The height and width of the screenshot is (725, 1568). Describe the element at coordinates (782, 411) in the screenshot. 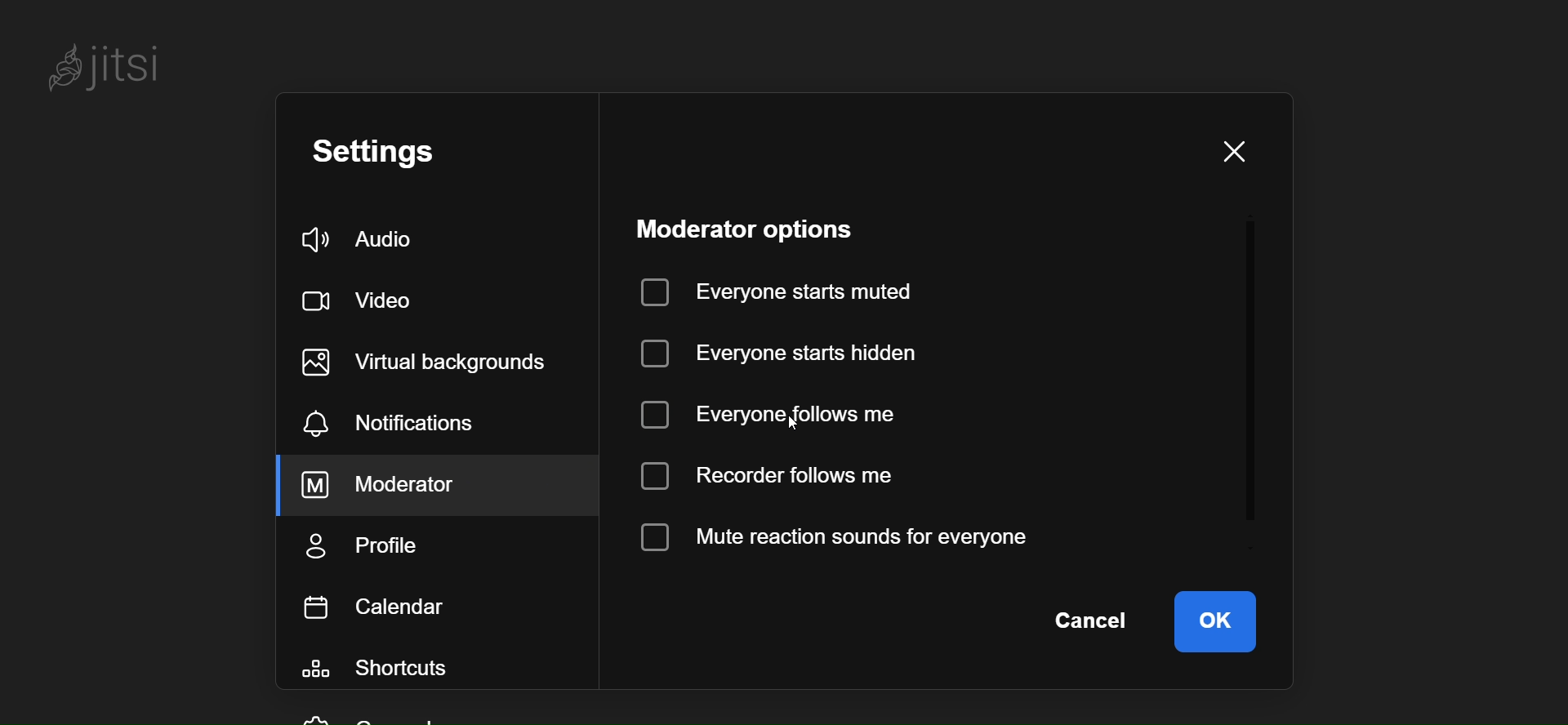

I see `everyone follows me` at that location.